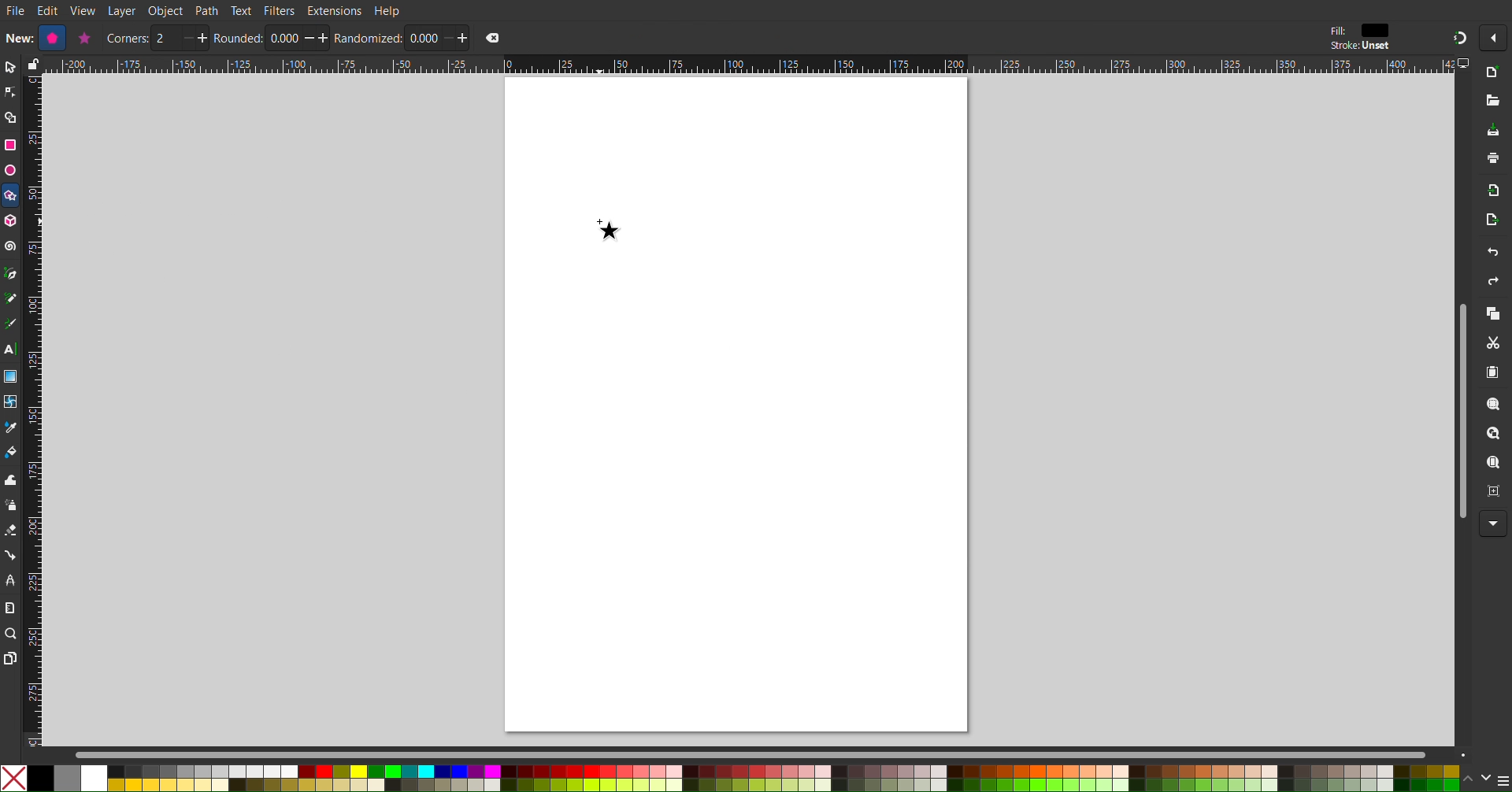 The width and height of the screenshot is (1512, 792). Describe the element at coordinates (1495, 406) in the screenshot. I see `Zoom Selection` at that location.